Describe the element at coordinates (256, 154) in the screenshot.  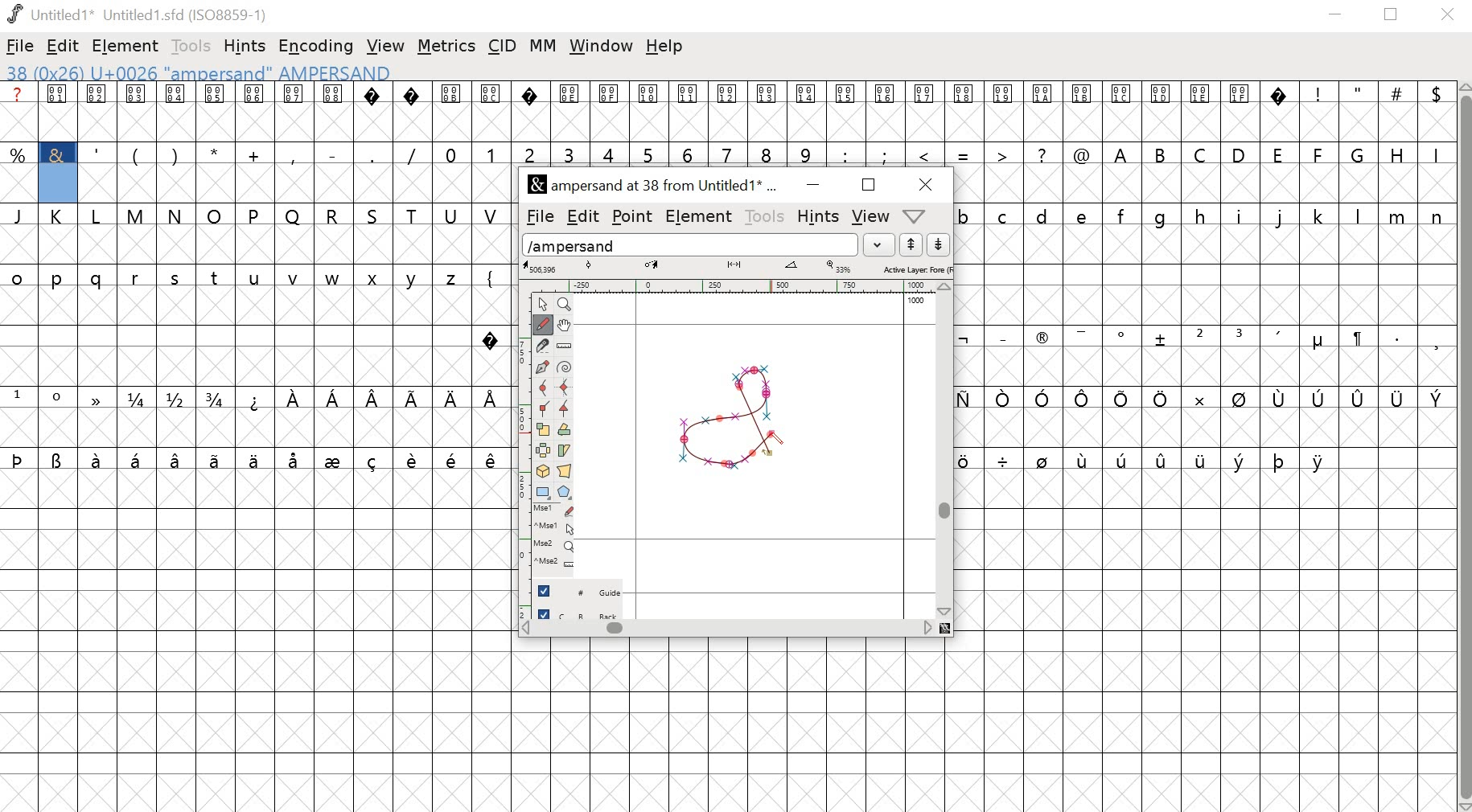
I see `+` at that location.